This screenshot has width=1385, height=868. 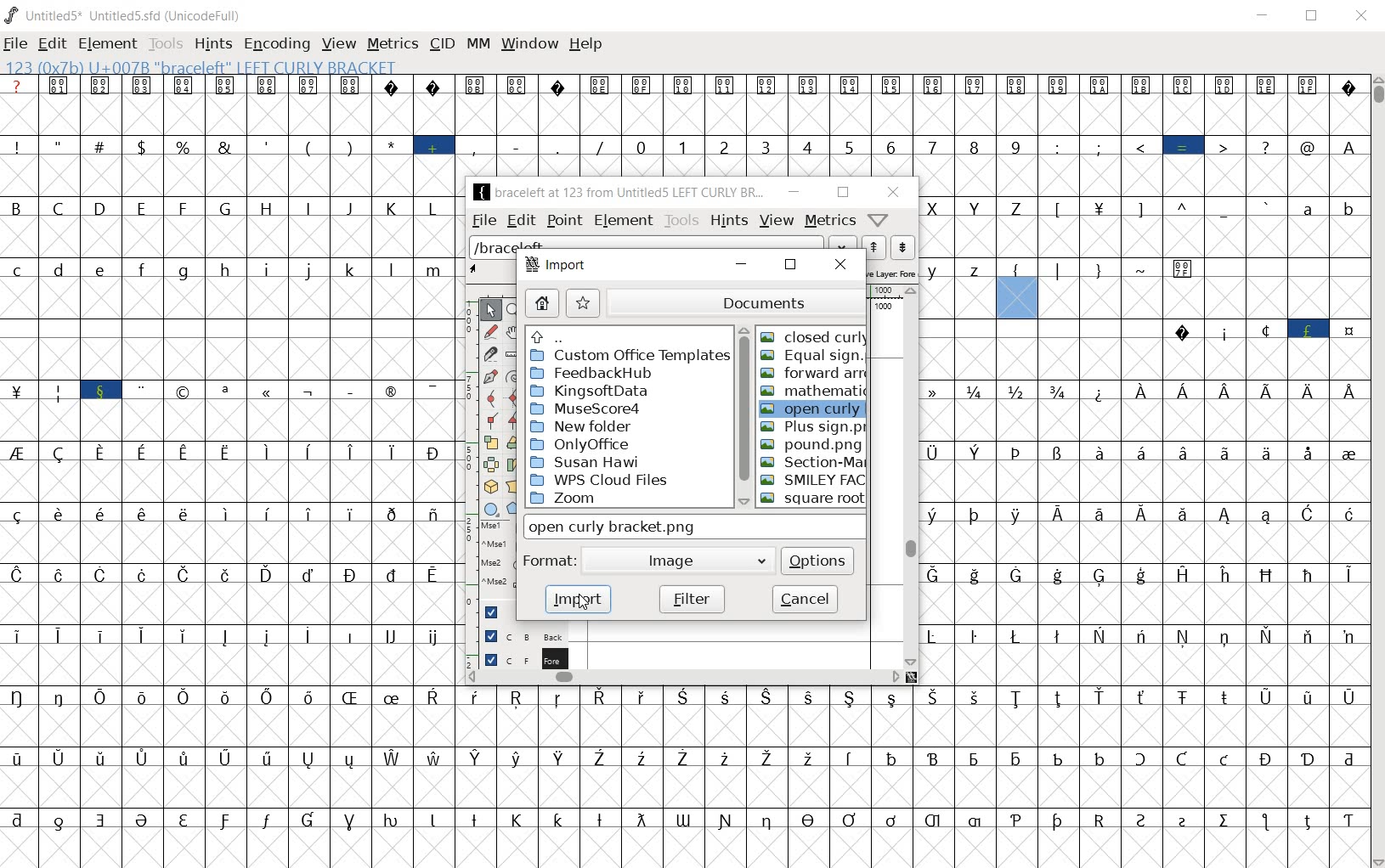 I want to click on minimize, so click(x=742, y=266).